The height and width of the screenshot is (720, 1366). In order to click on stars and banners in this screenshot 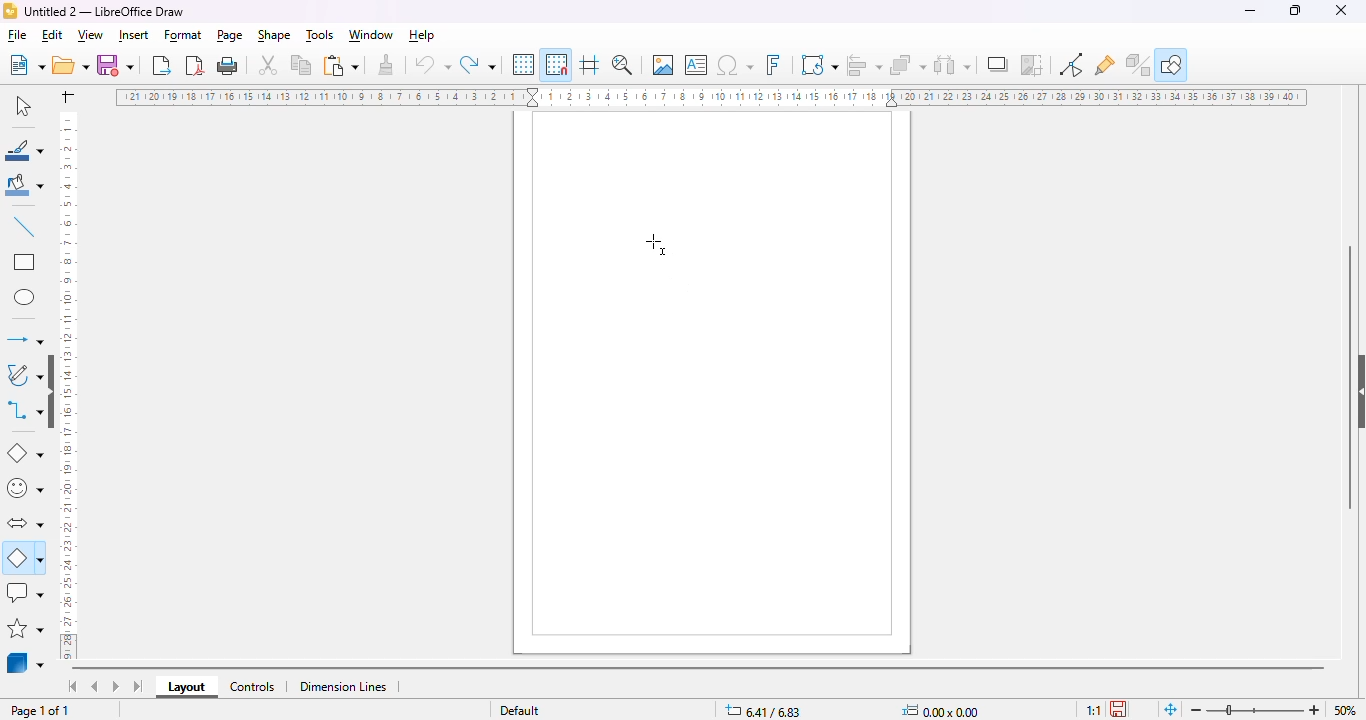, I will do `click(27, 629)`.